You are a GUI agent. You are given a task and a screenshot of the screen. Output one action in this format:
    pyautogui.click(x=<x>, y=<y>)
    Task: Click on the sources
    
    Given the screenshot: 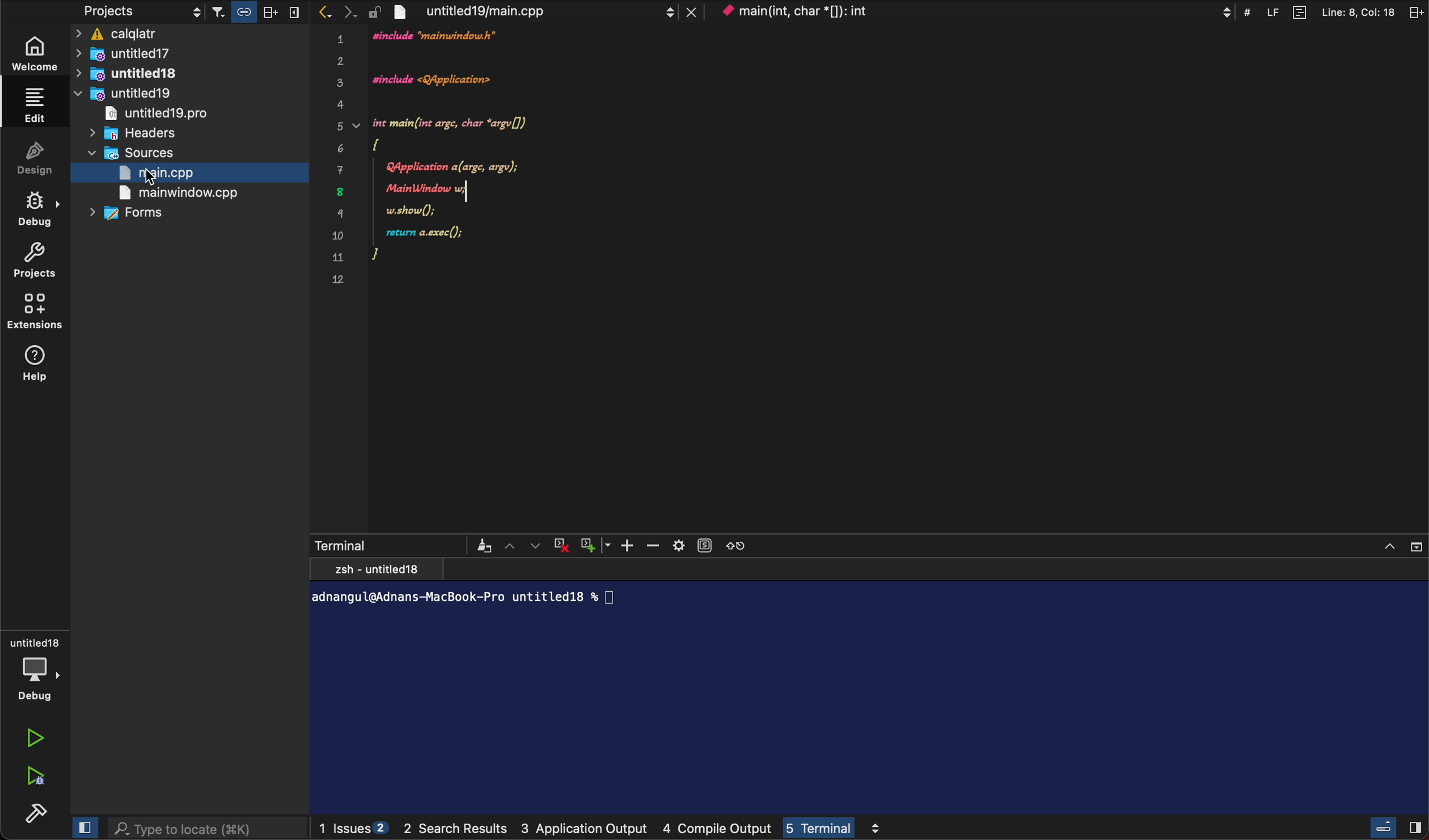 What is the action you would take?
    pyautogui.click(x=151, y=154)
    